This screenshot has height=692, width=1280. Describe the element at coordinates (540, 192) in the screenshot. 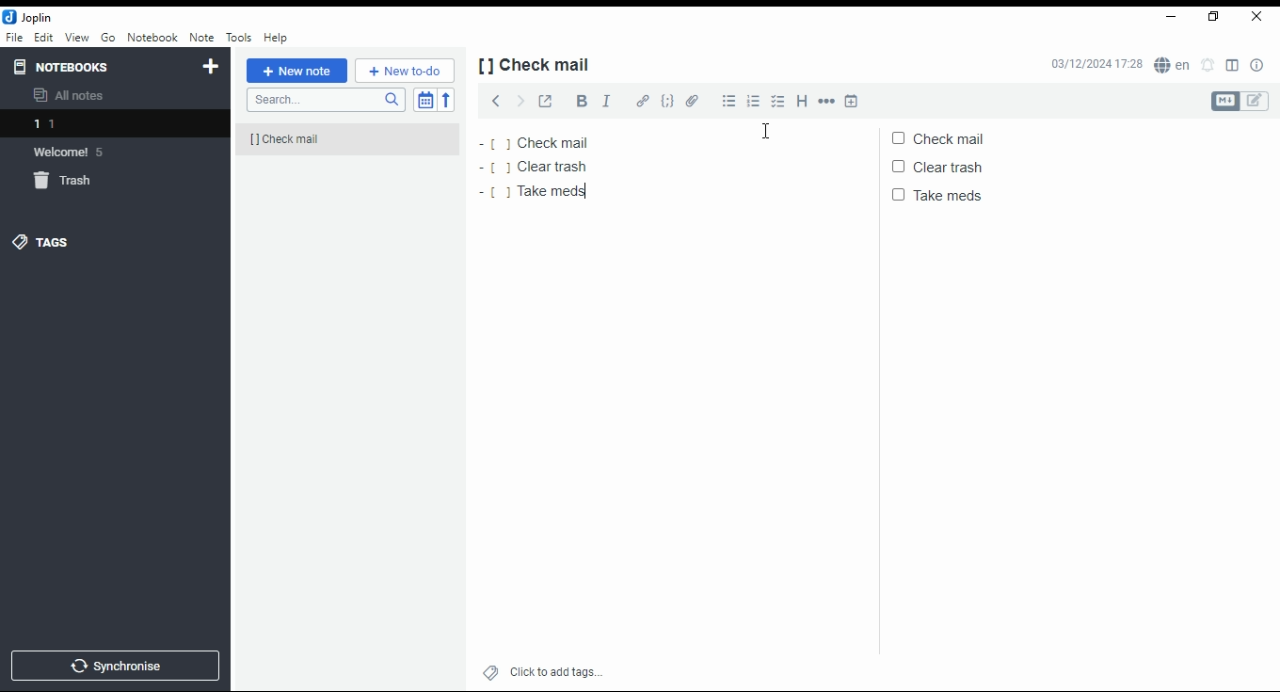

I see `take meds` at that location.